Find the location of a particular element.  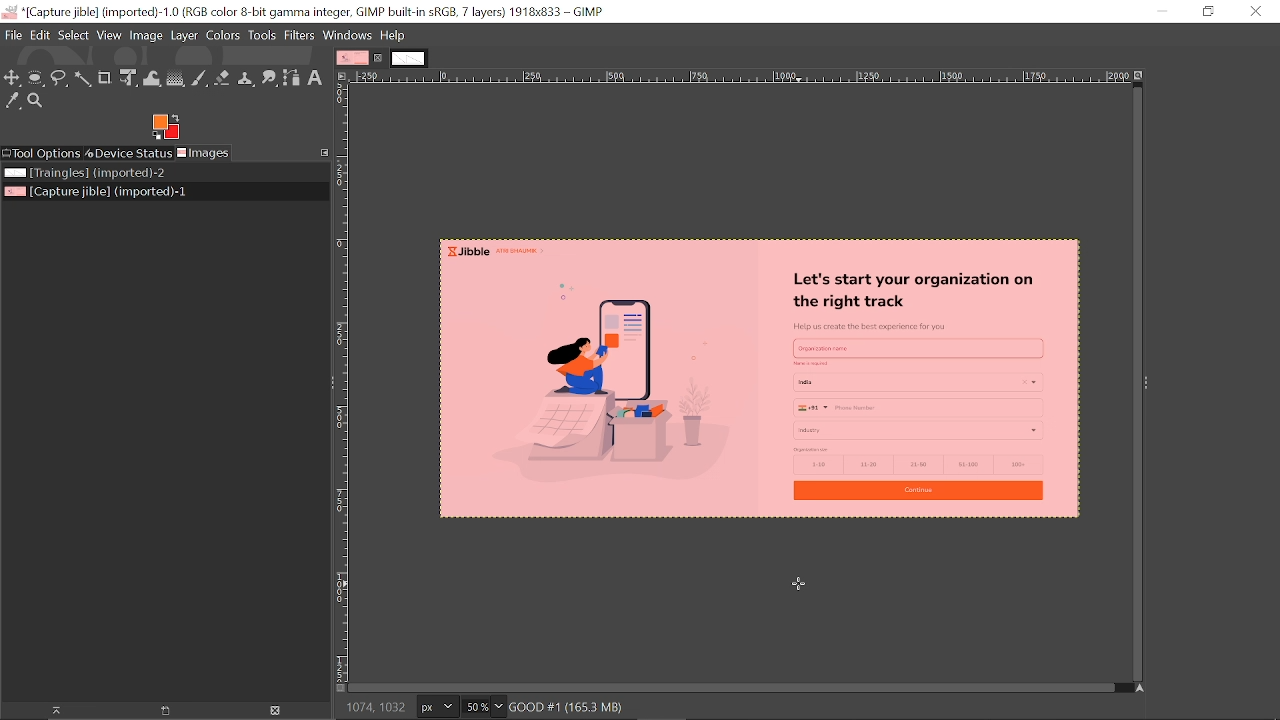

Clone tool is located at coordinates (247, 78).